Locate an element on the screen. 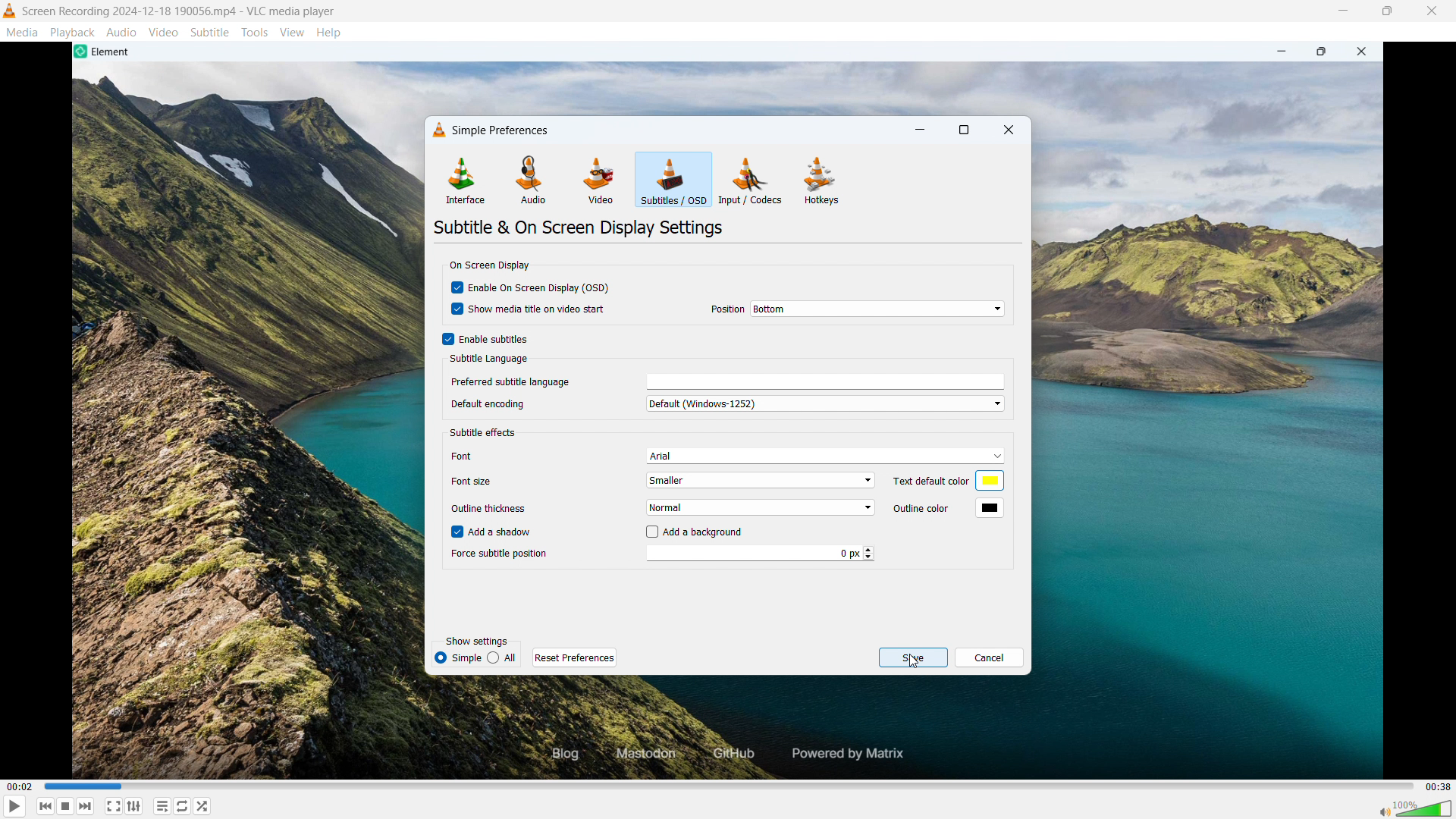 The width and height of the screenshot is (1456, 819). Default encoding  is located at coordinates (826, 403).